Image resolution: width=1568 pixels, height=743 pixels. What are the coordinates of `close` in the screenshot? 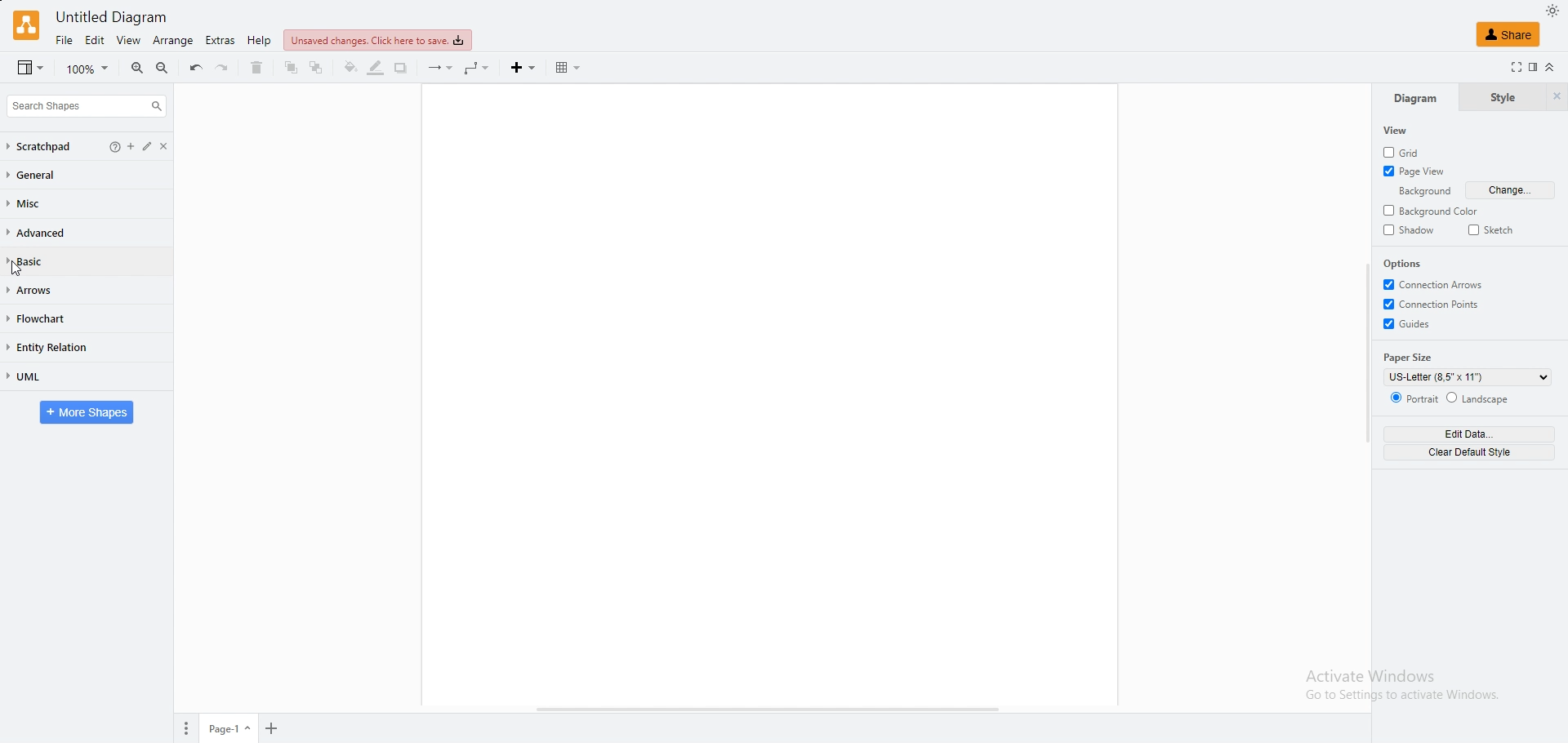 It's located at (171, 146).